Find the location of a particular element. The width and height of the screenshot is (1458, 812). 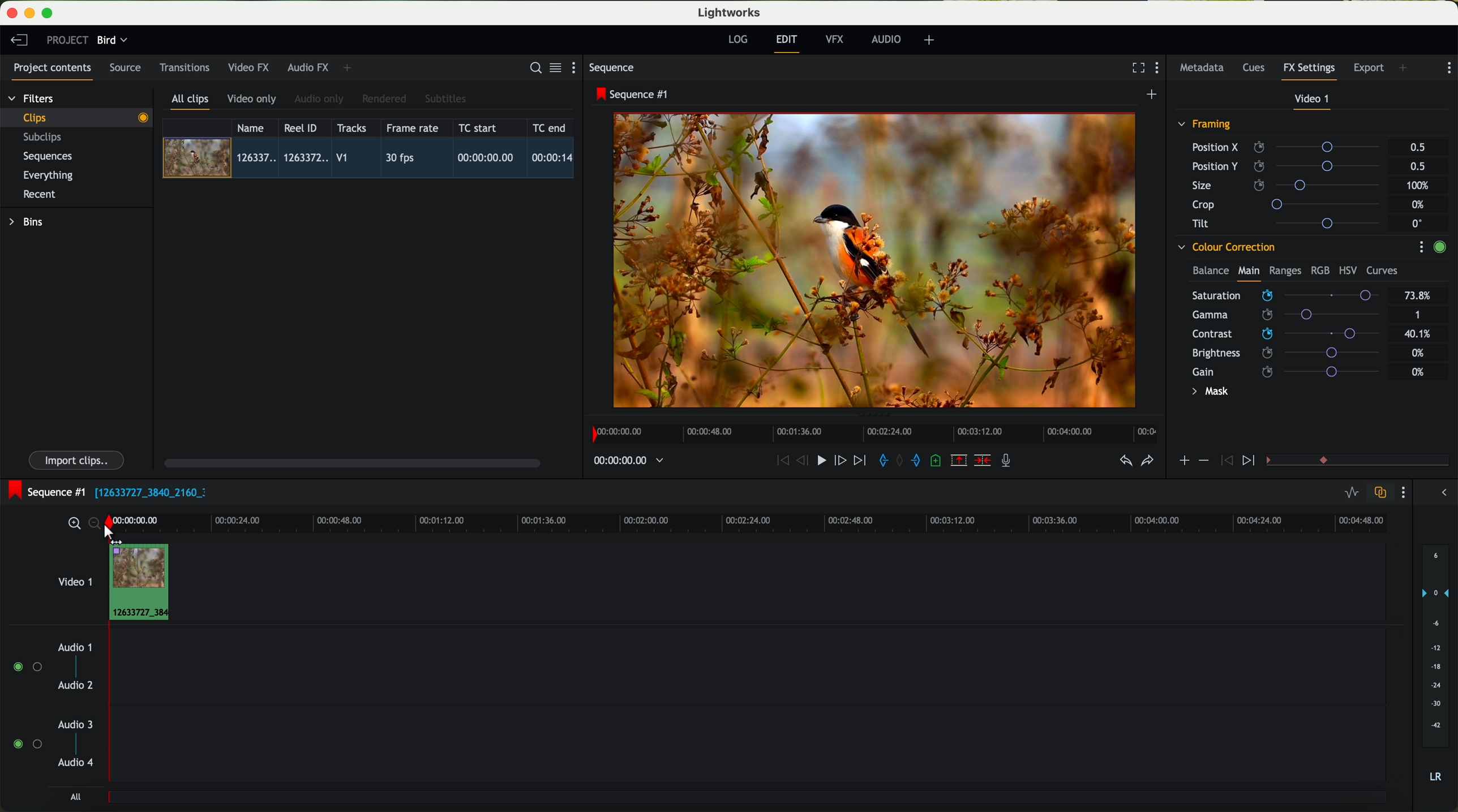

ranges is located at coordinates (1285, 270).